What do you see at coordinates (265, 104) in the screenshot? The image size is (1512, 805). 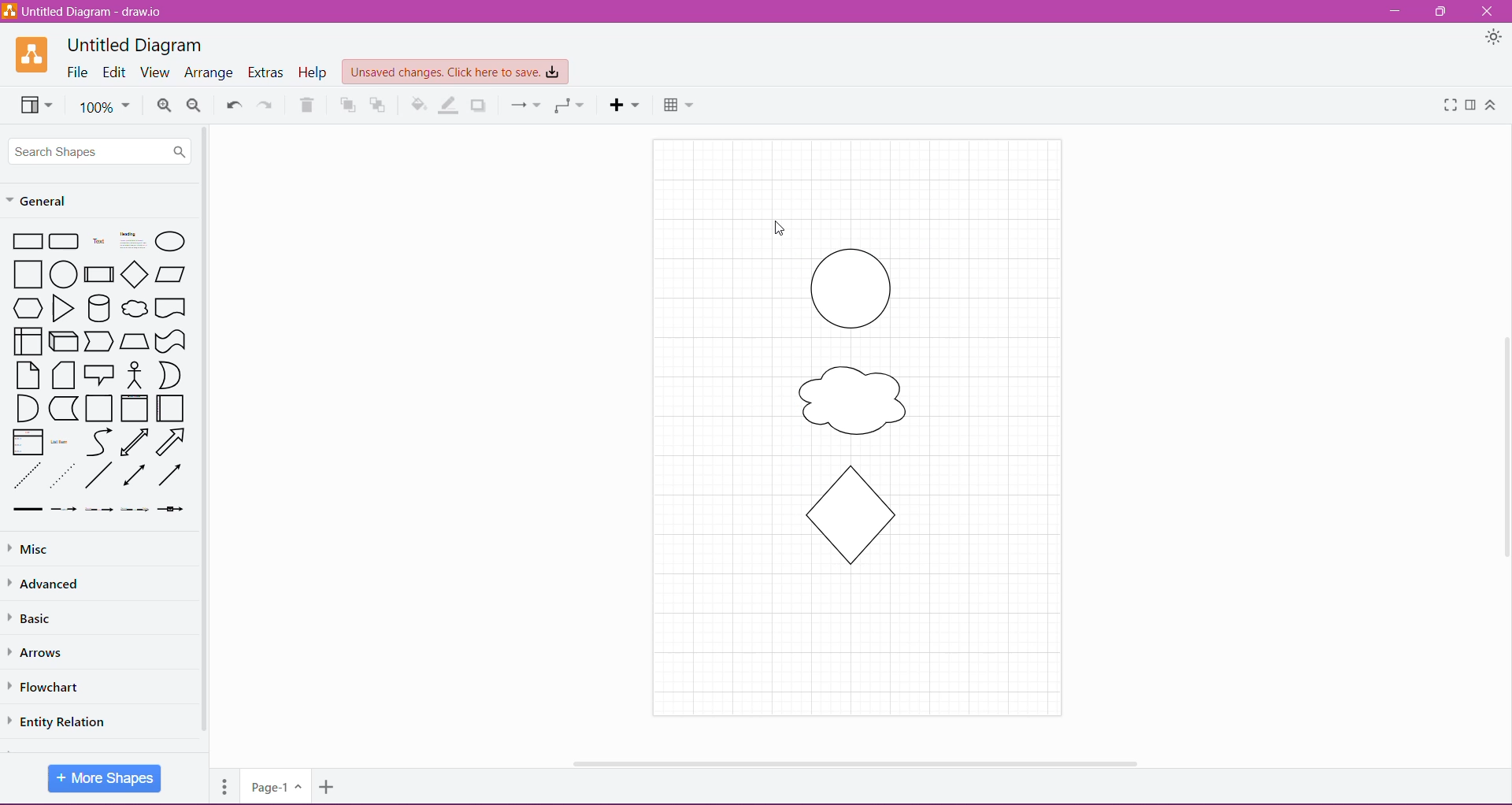 I see `Redo` at bounding box center [265, 104].